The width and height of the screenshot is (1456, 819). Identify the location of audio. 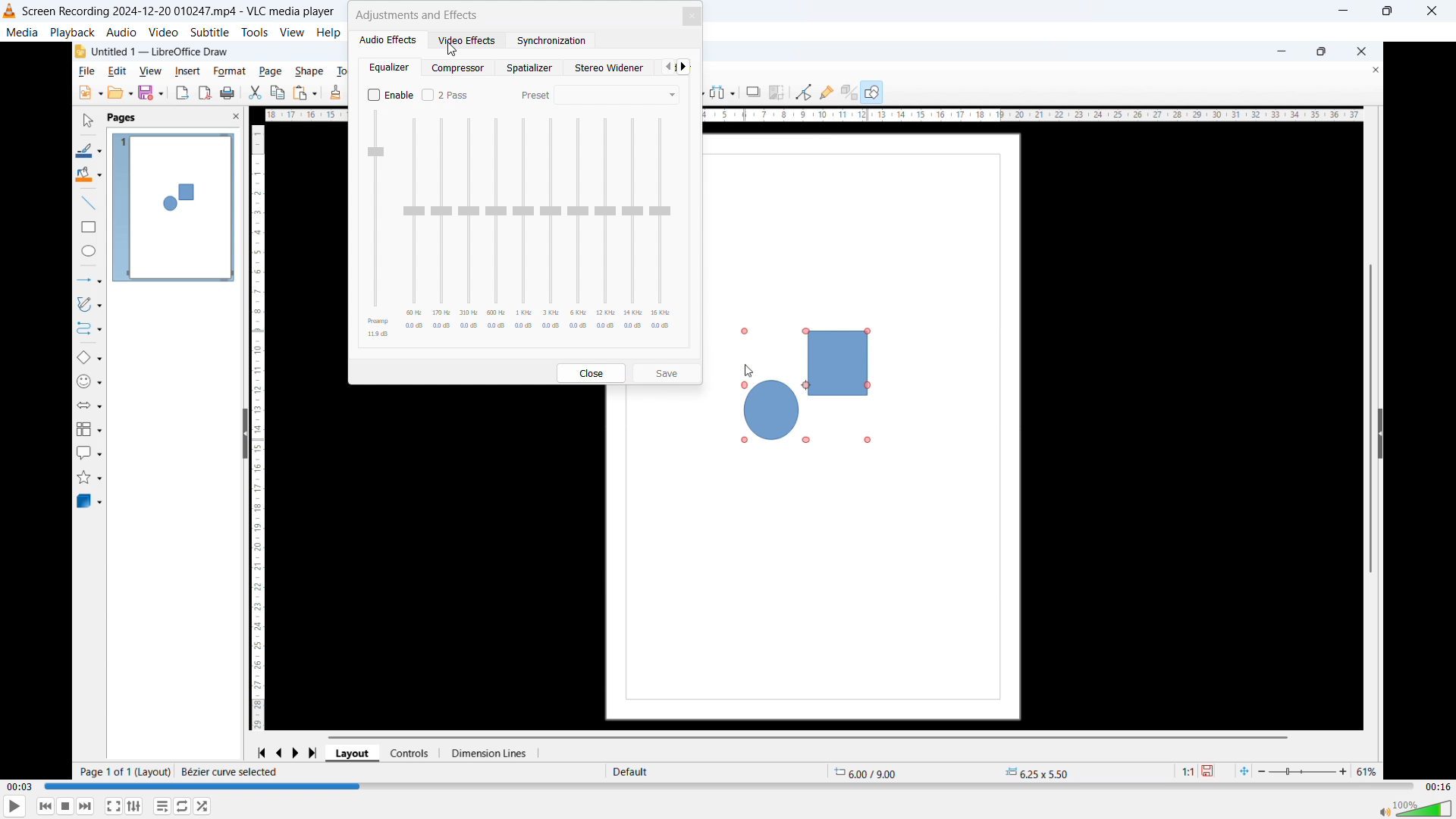
(121, 33).